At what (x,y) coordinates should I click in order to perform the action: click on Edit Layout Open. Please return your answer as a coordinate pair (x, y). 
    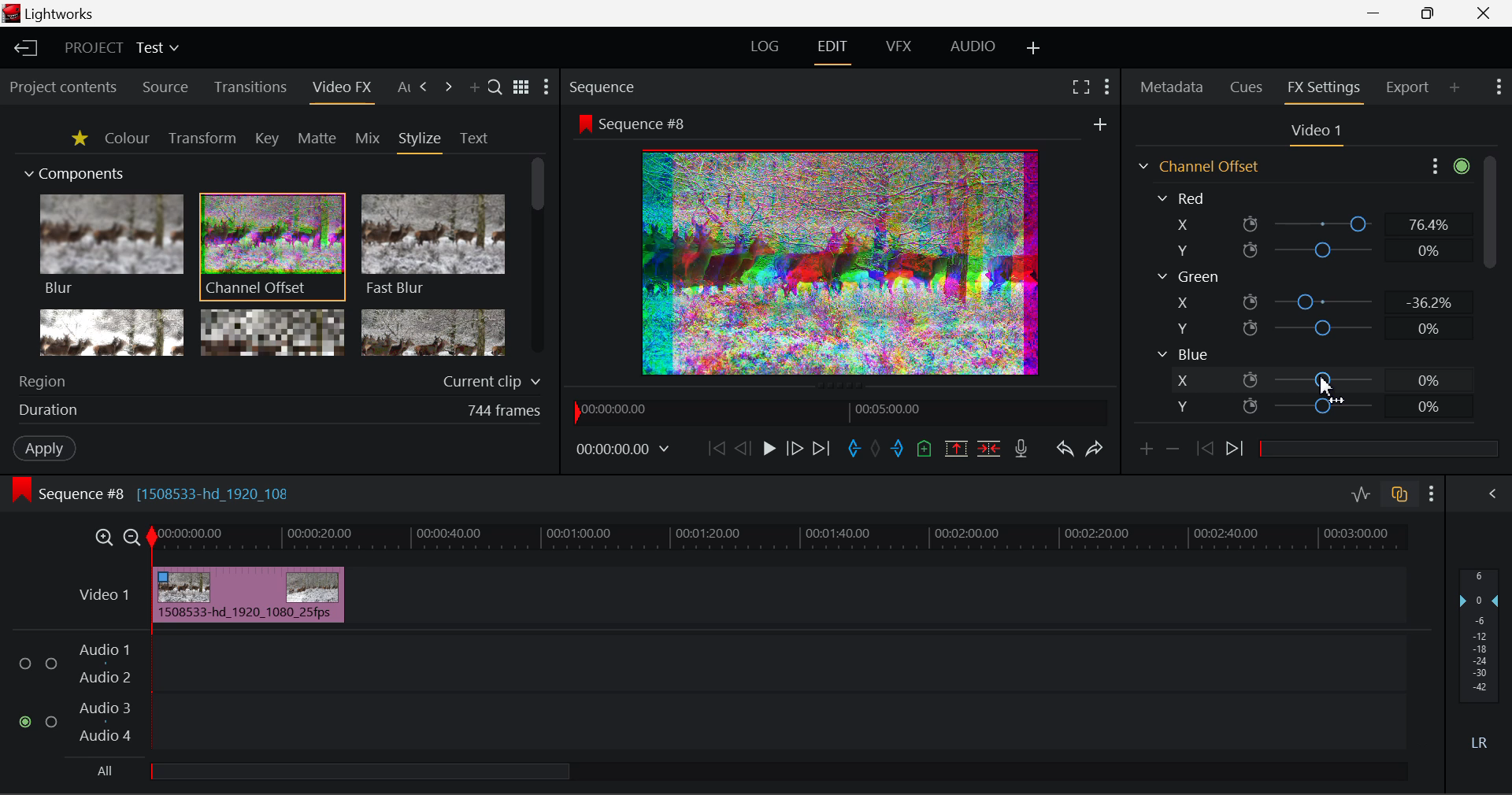
    Looking at the image, I should click on (832, 52).